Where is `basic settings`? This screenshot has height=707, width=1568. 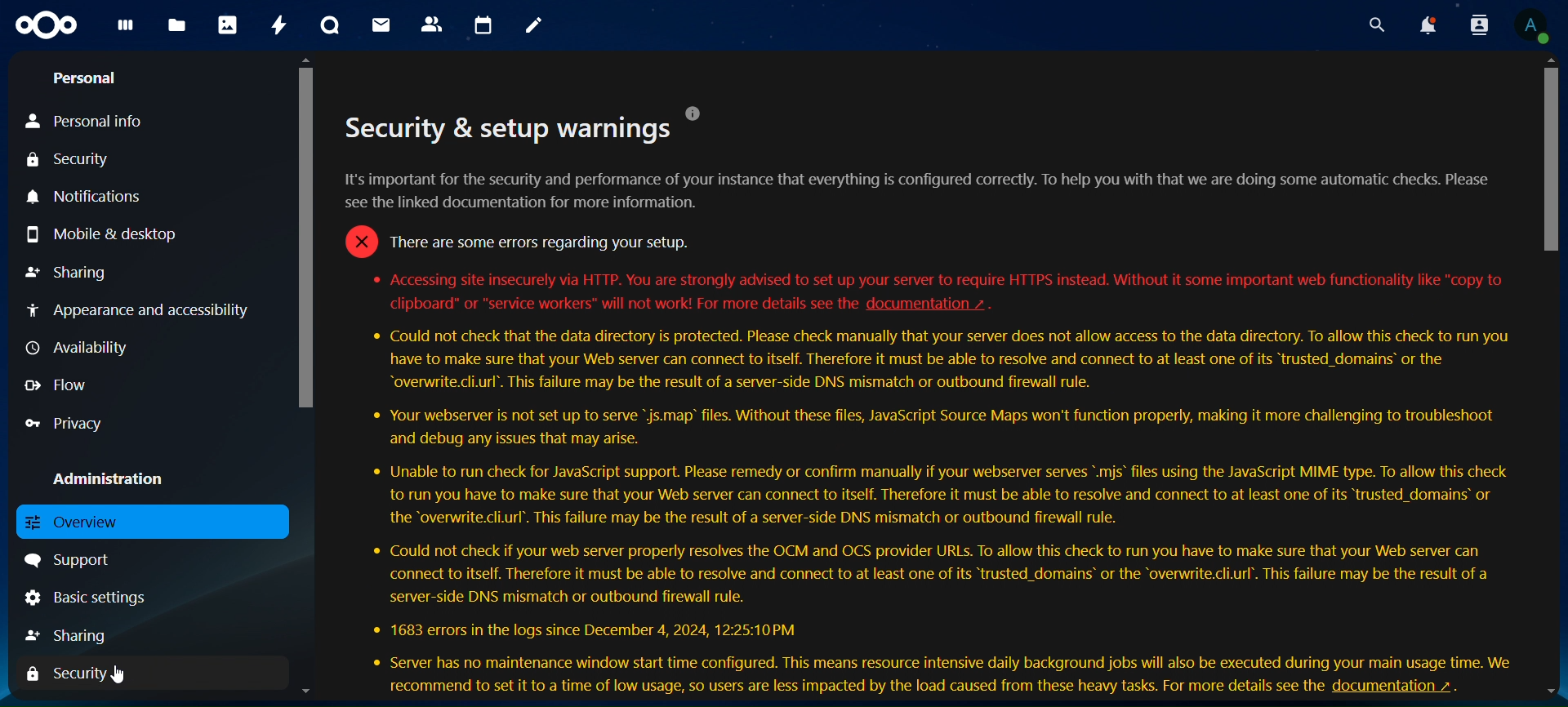 basic settings is located at coordinates (87, 599).